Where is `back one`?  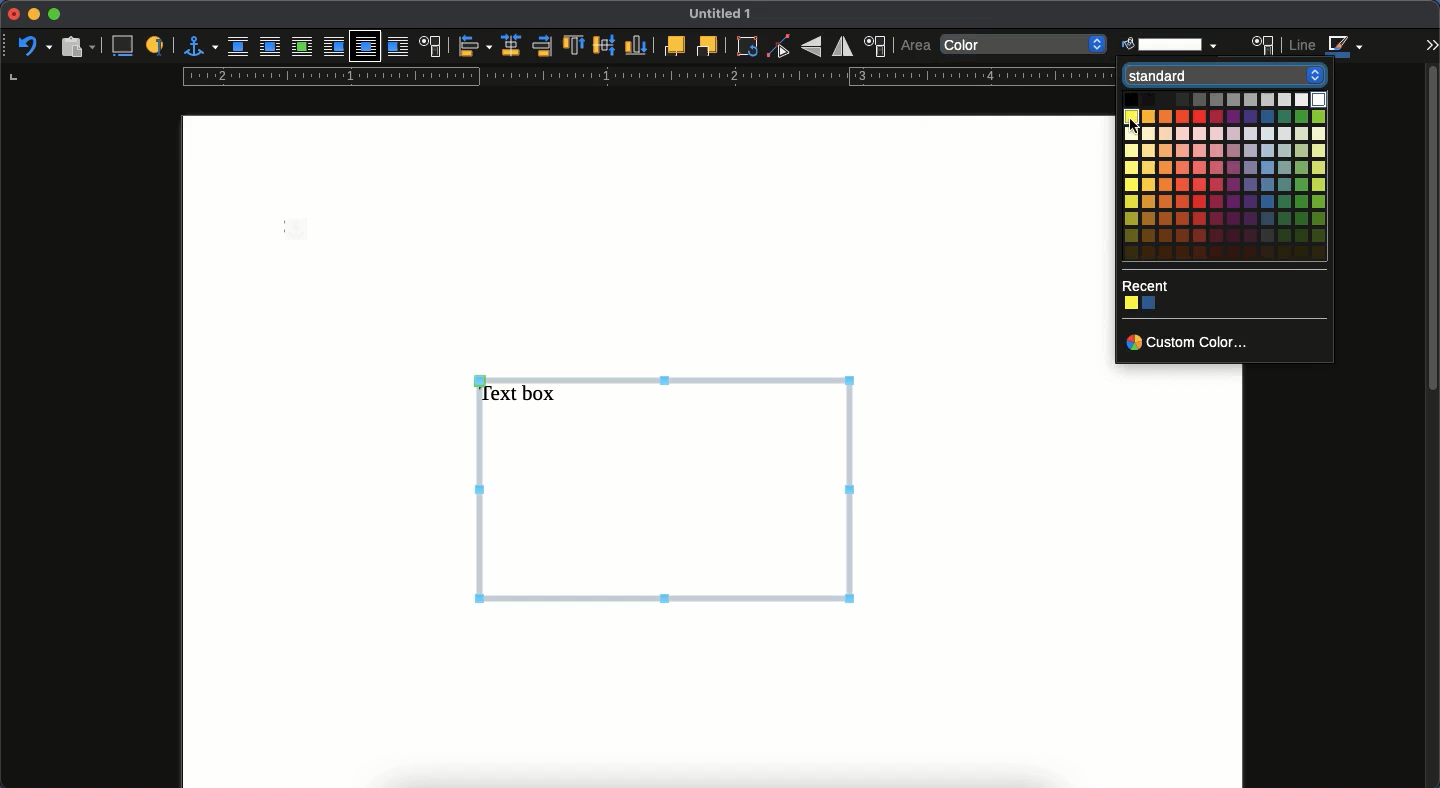
back one is located at coordinates (707, 47).